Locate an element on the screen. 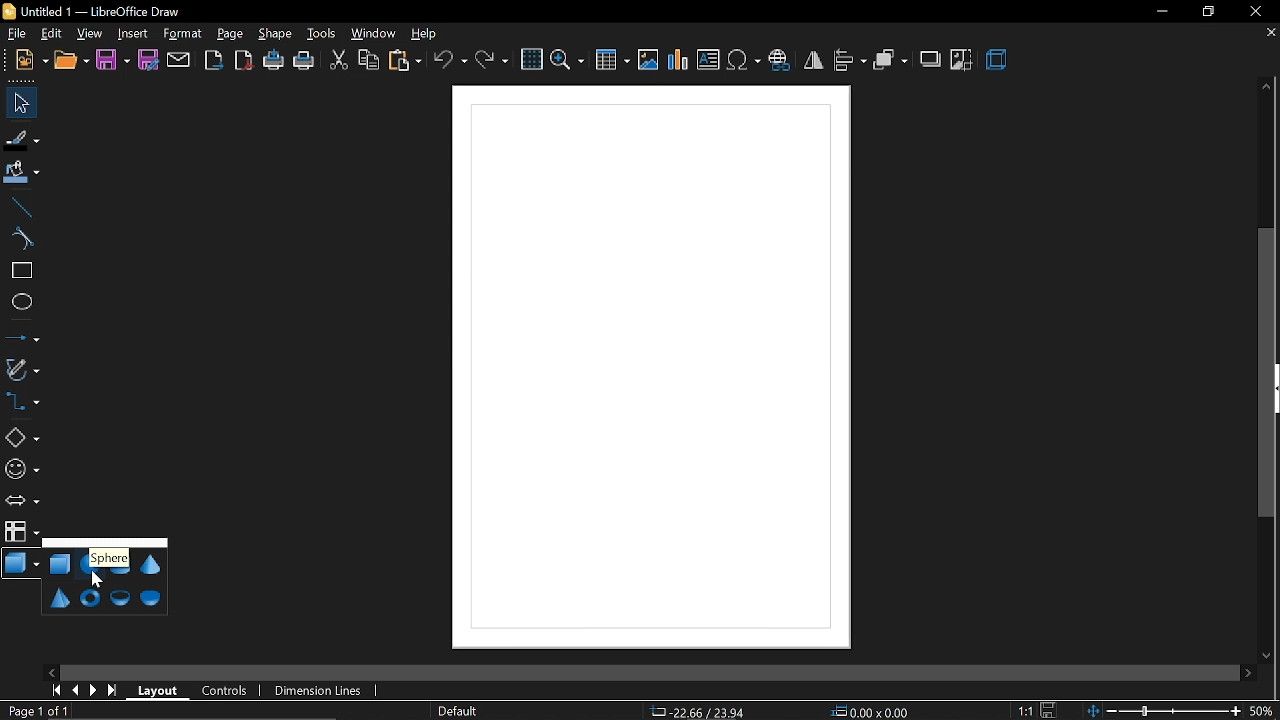 The height and width of the screenshot is (720, 1280). restore down is located at coordinates (1206, 11).